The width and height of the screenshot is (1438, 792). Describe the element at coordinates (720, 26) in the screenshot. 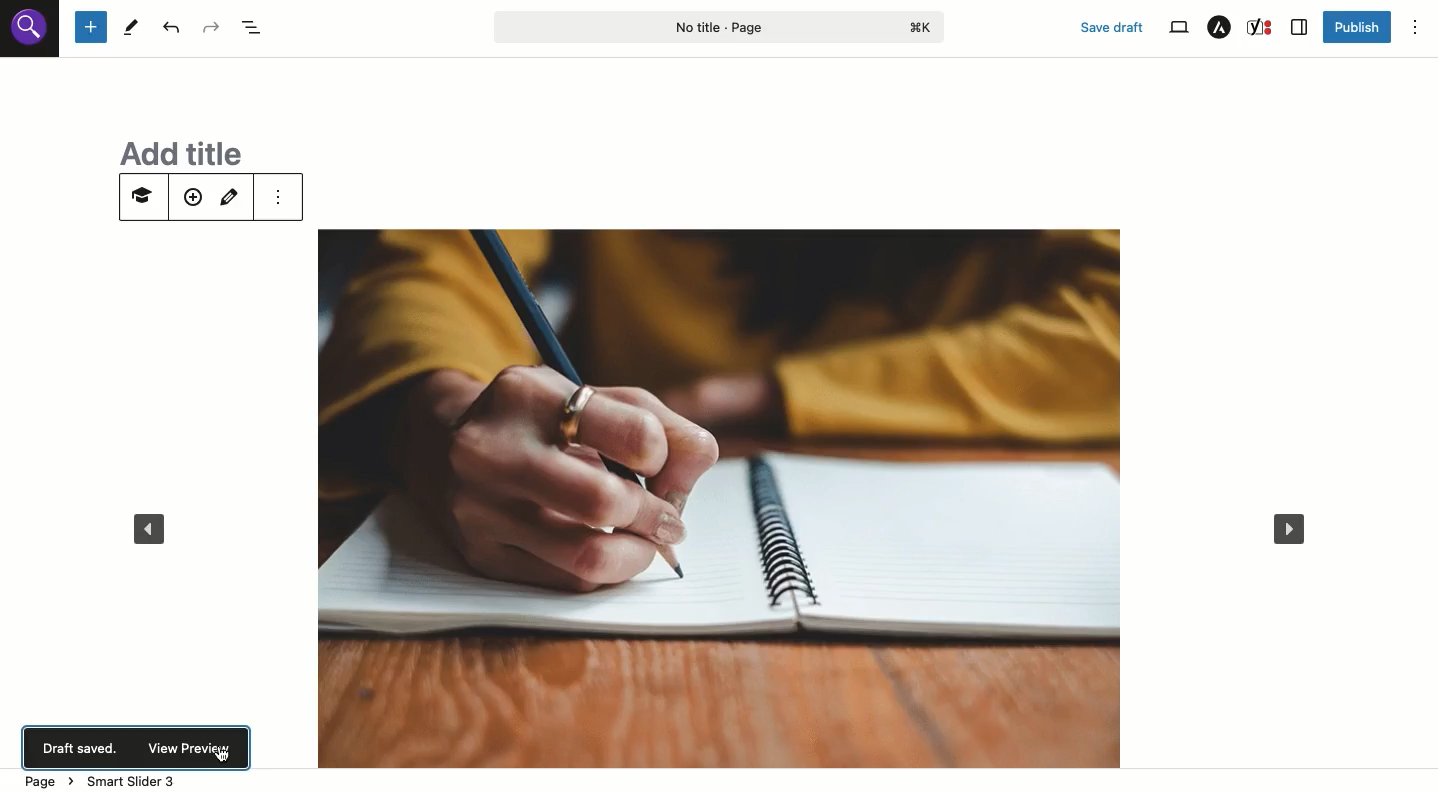

I see `Page` at that location.